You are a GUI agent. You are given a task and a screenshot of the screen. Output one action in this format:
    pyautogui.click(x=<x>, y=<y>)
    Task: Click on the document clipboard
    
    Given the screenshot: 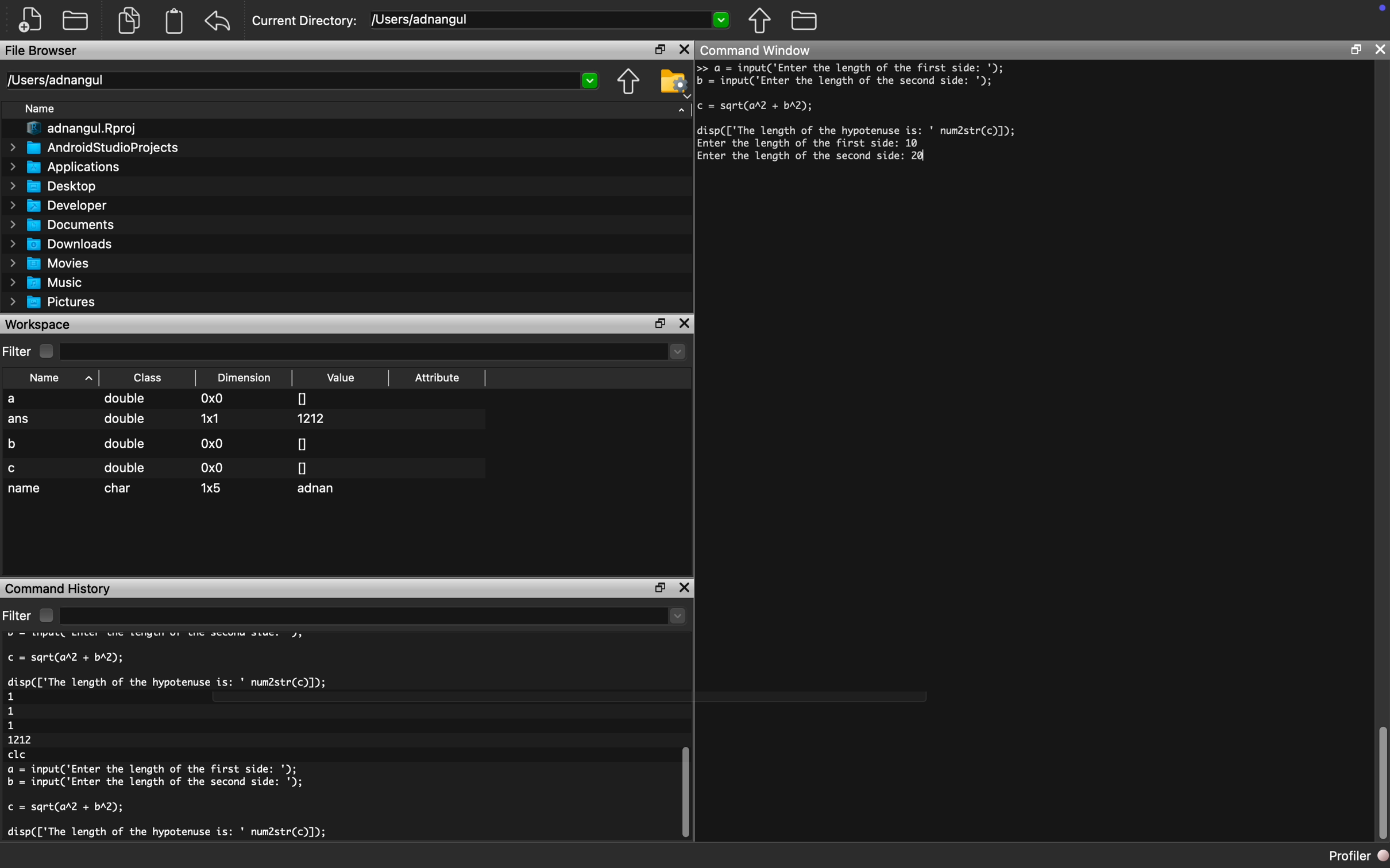 What is the action you would take?
    pyautogui.click(x=172, y=22)
    